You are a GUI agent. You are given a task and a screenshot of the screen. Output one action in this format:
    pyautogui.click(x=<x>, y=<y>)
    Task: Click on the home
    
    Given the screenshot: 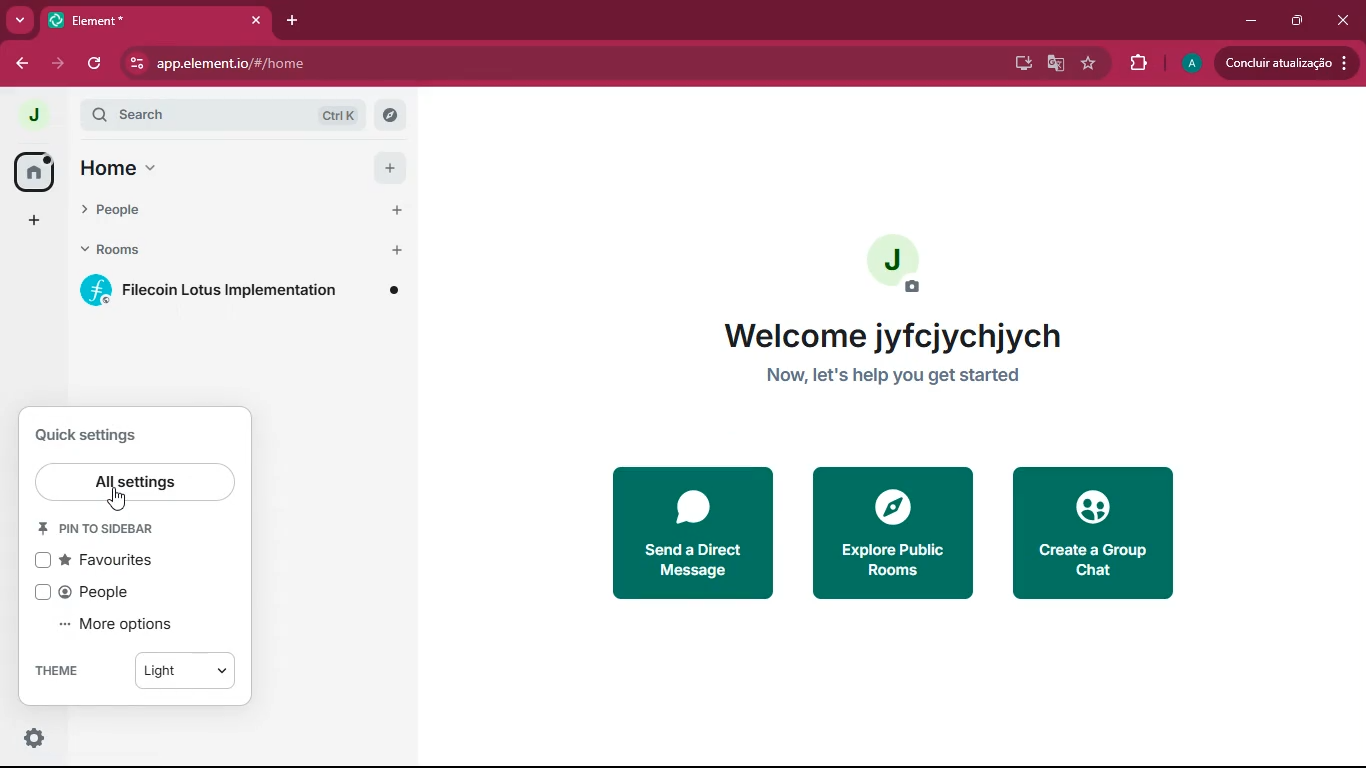 What is the action you would take?
    pyautogui.click(x=201, y=168)
    